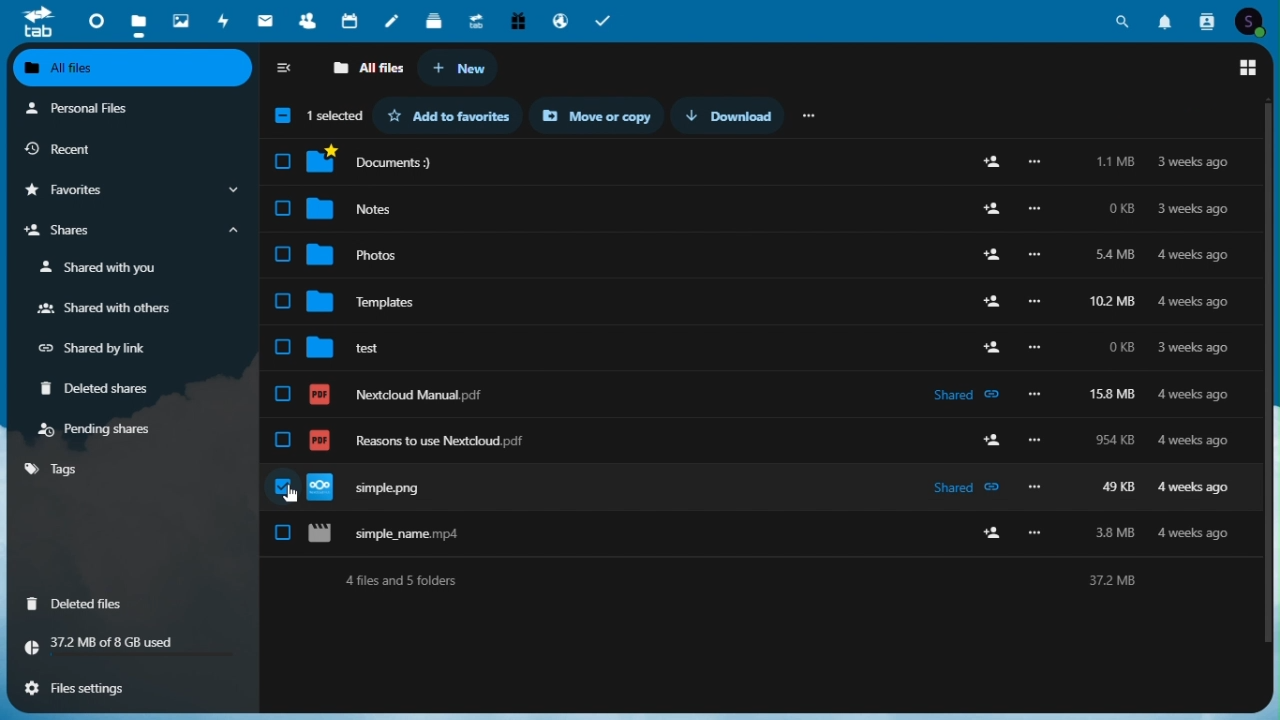 This screenshot has width=1280, height=720. I want to click on more, so click(811, 114).